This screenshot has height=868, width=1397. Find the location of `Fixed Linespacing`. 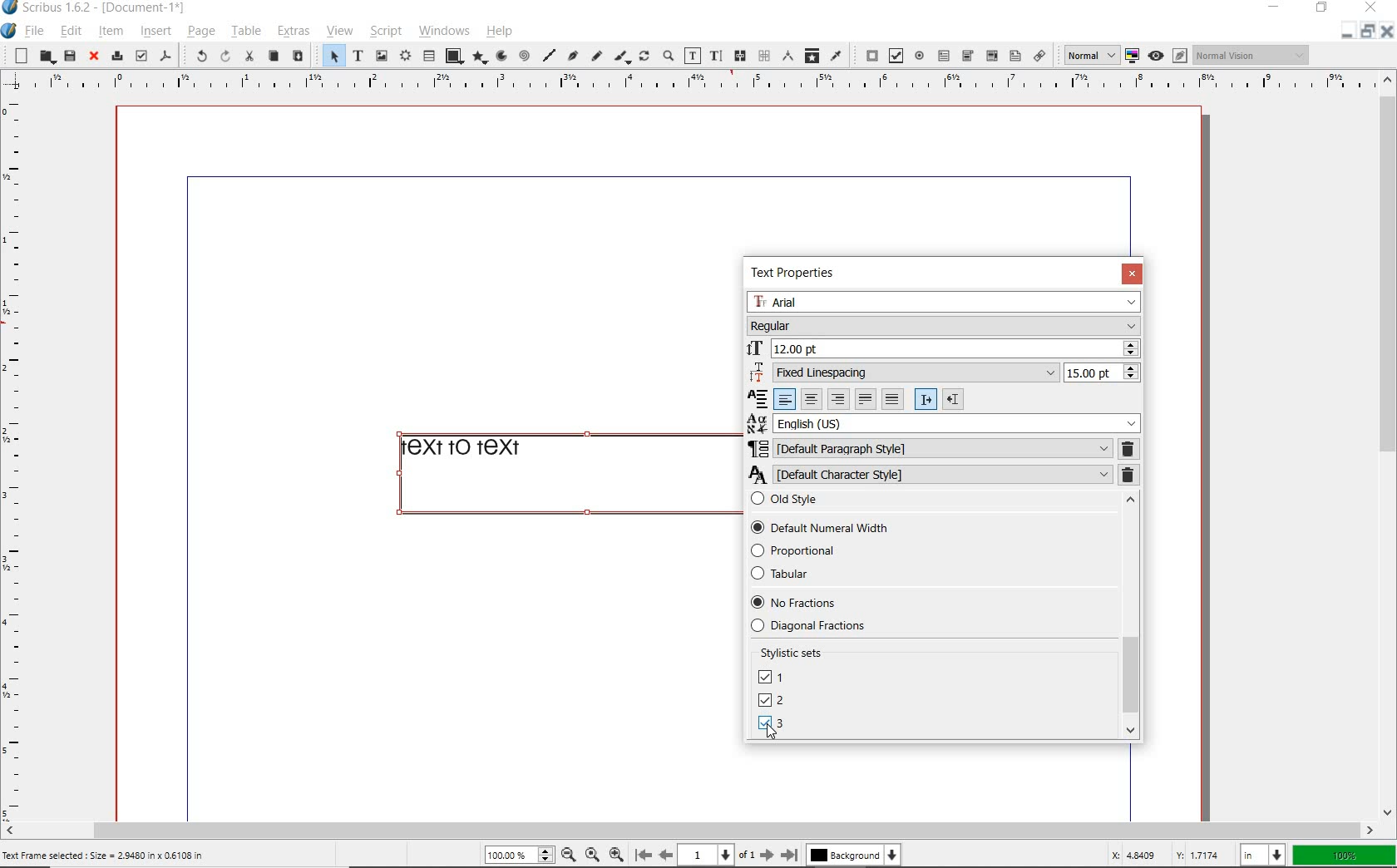

Fixed Linespacing is located at coordinates (902, 372).